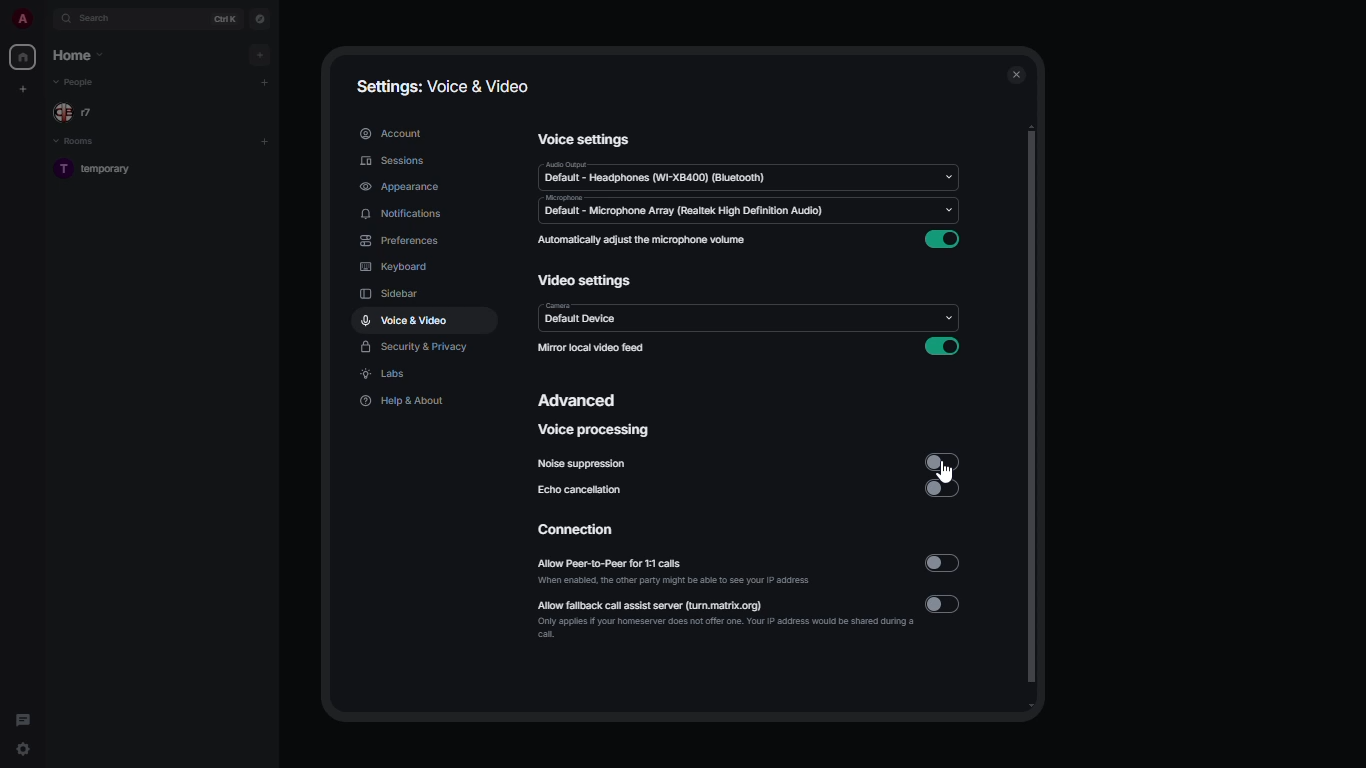 The width and height of the screenshot is (1366, 768). I want to click on cursor, so click(953, 471).